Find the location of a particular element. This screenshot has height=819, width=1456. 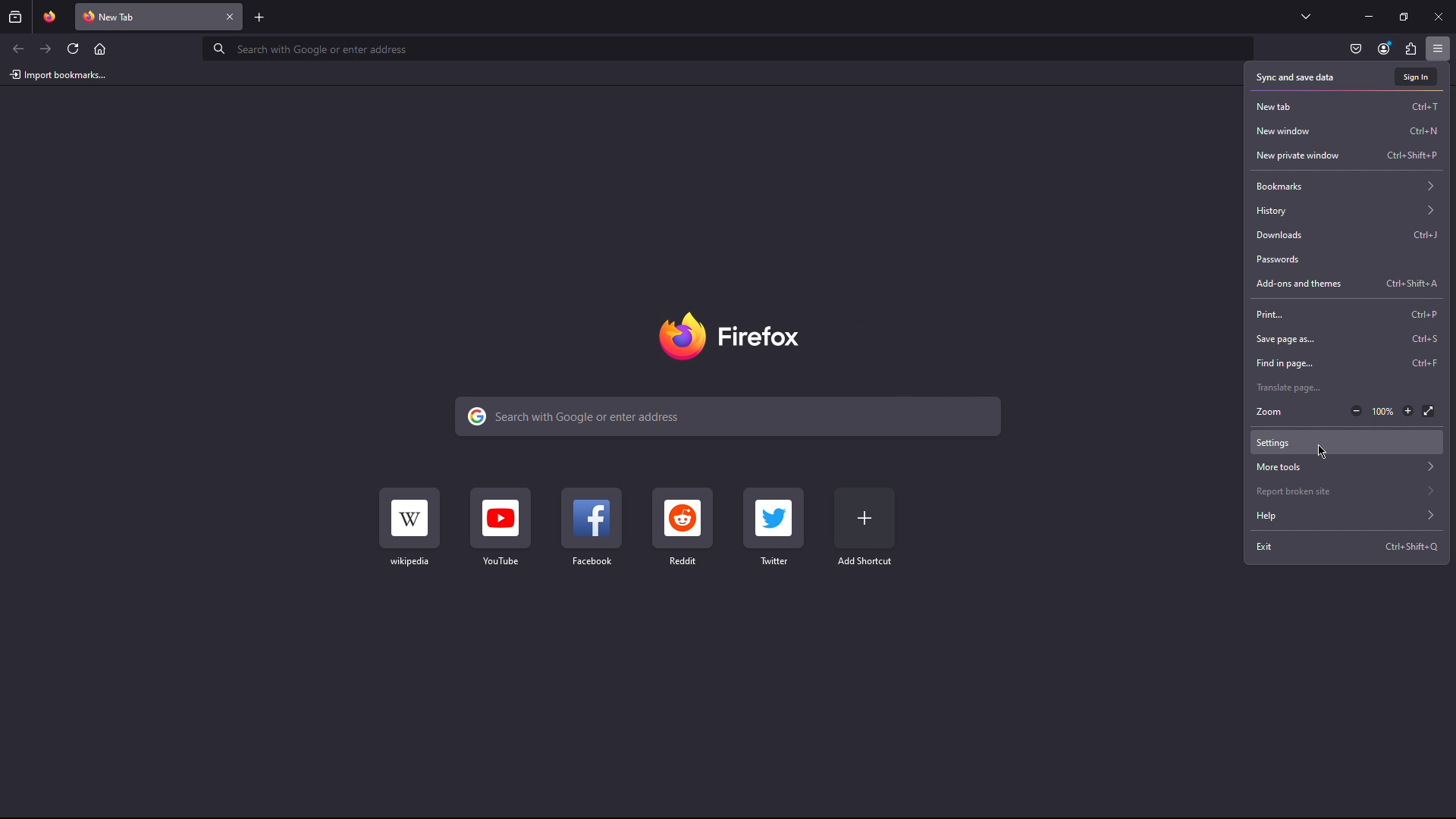

Address Bar is located at coordinates (727, 48).